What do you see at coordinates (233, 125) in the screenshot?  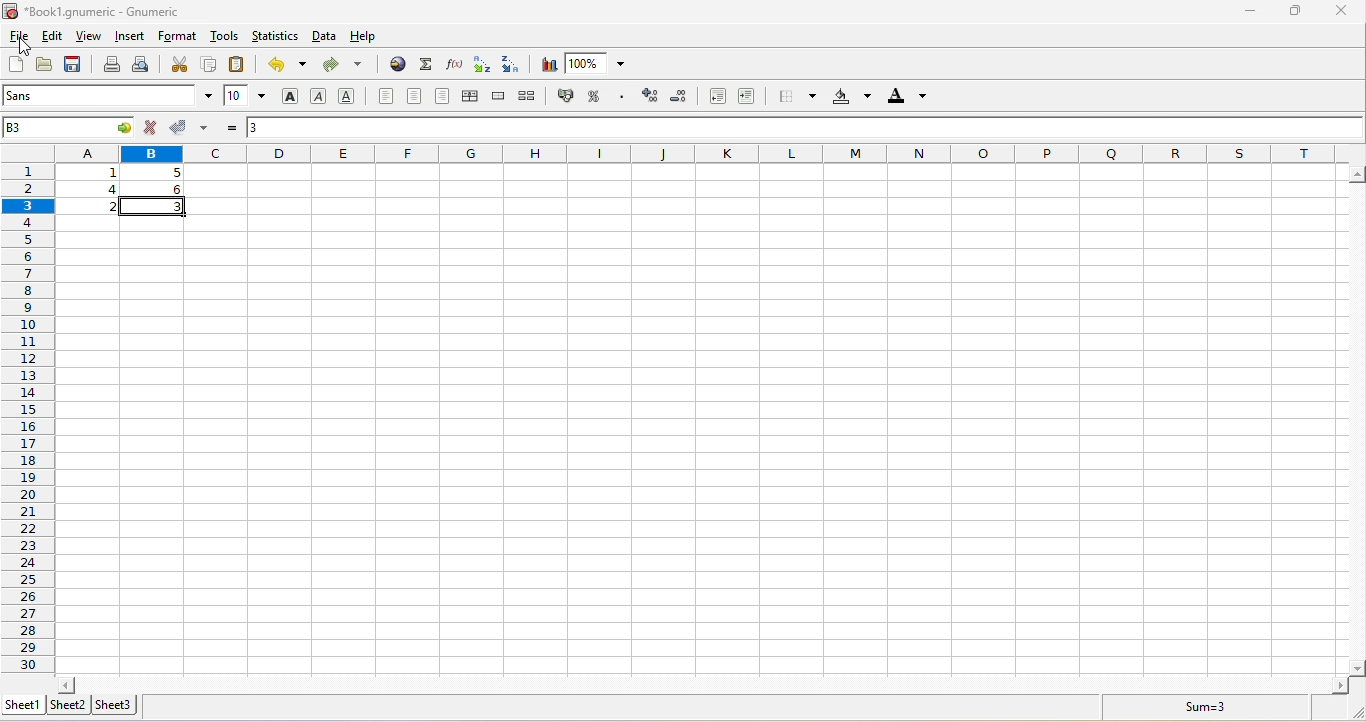 I see `formula` at bounding box center [233, 125].